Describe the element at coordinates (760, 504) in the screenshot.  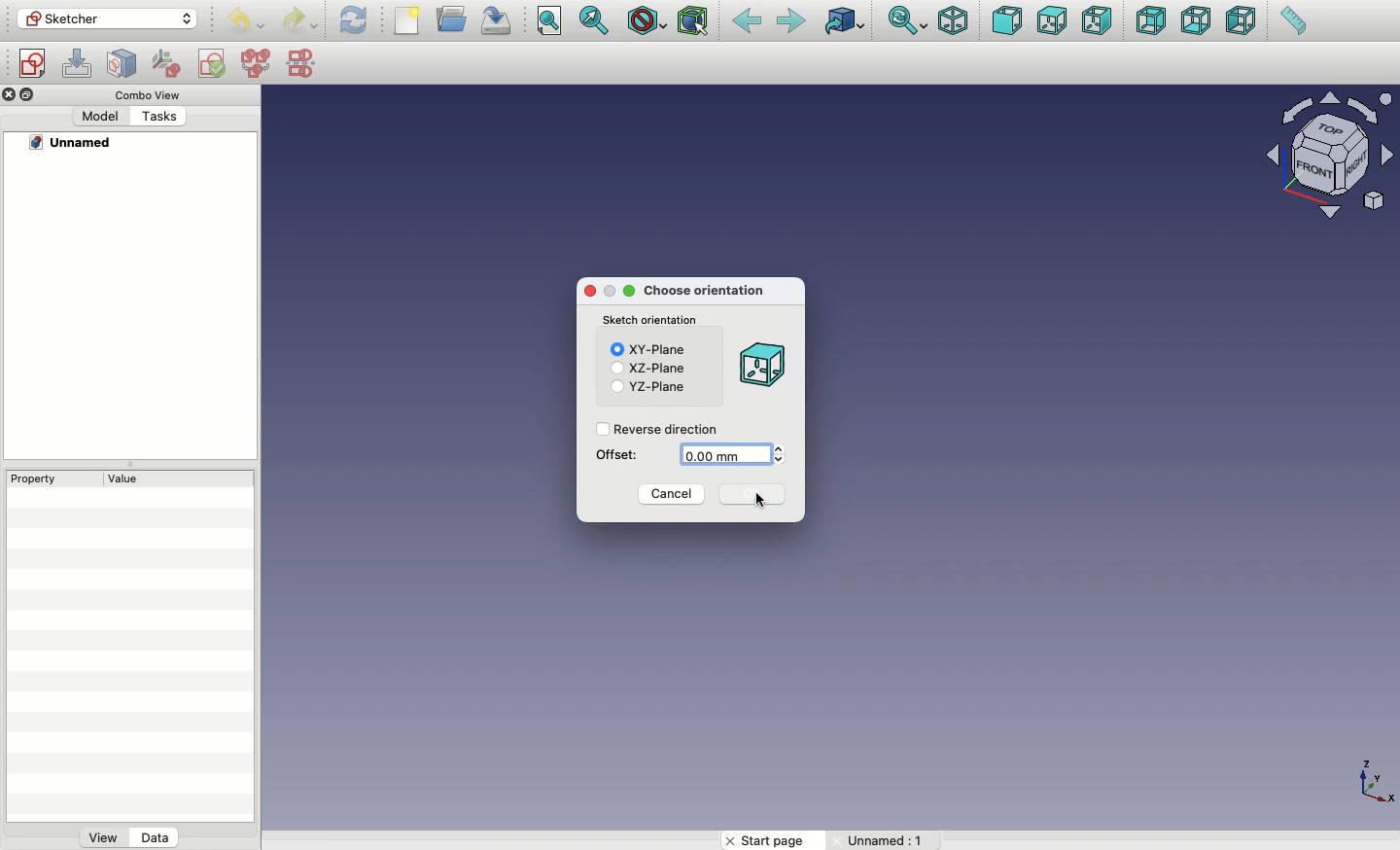
I see `` at that location.